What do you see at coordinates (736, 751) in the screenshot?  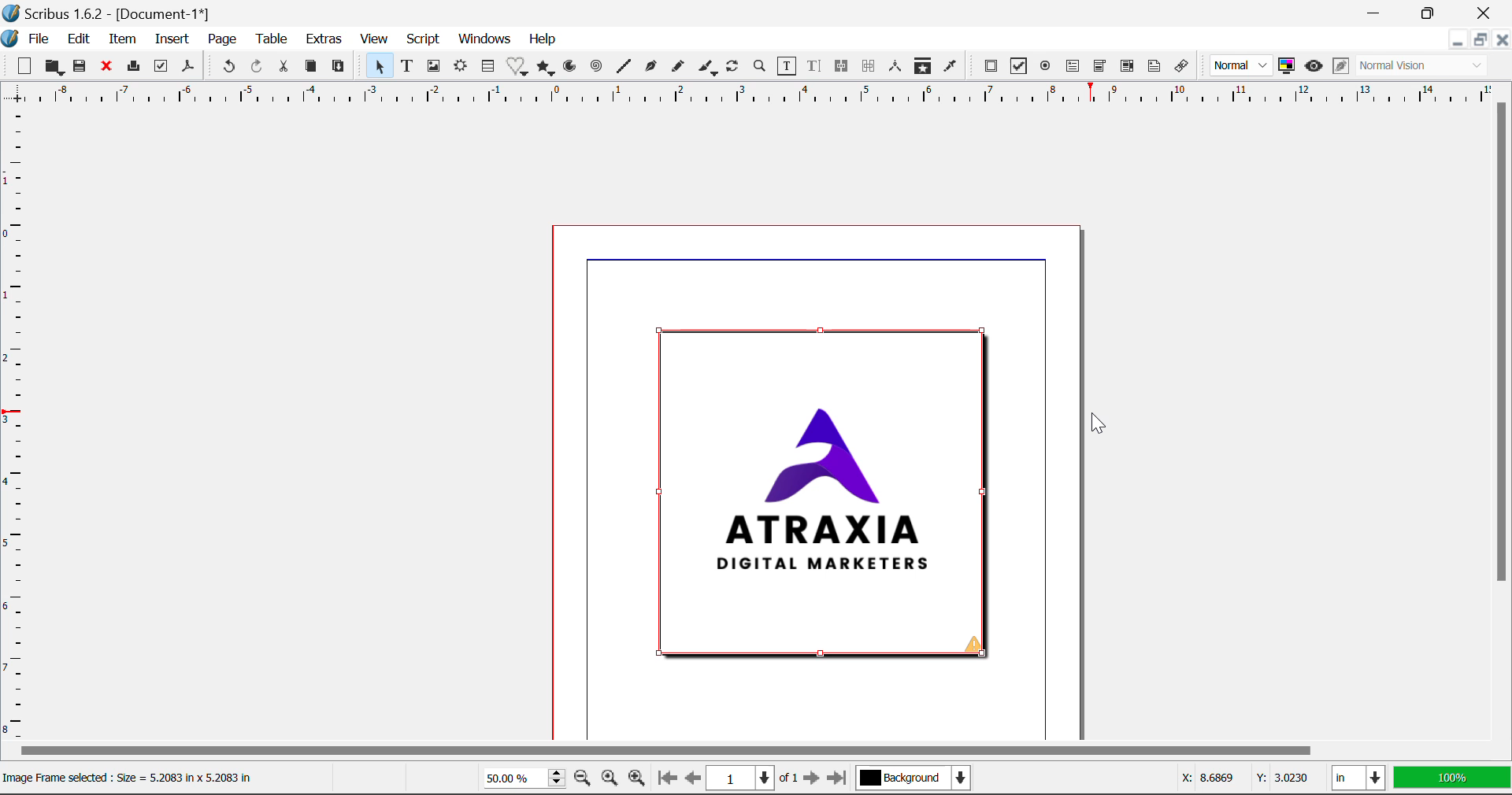 I see `Horizontal Scroll Bar` at bounding box center [736, 751].